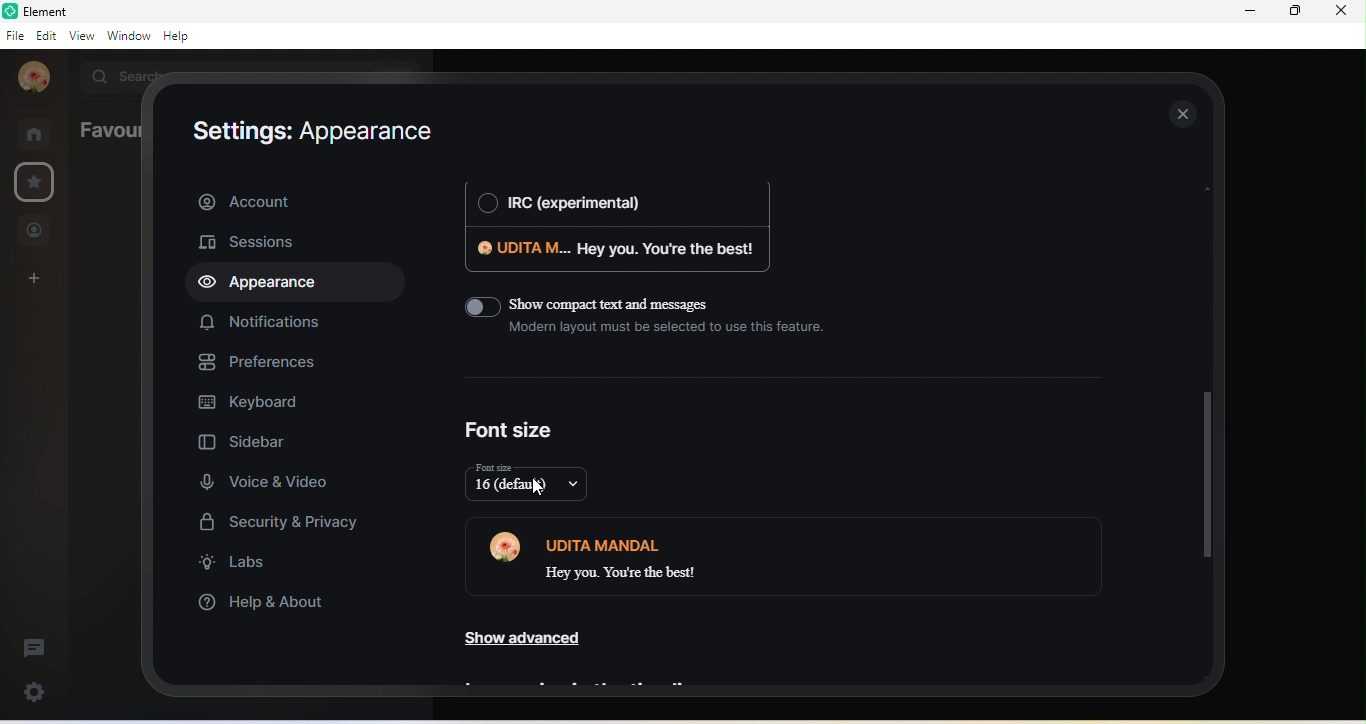 The height and width of the screenshot is (724, 1366). Describe the element at coordinates (38, 690) in the screenshot. I see `quick settings` at that location.